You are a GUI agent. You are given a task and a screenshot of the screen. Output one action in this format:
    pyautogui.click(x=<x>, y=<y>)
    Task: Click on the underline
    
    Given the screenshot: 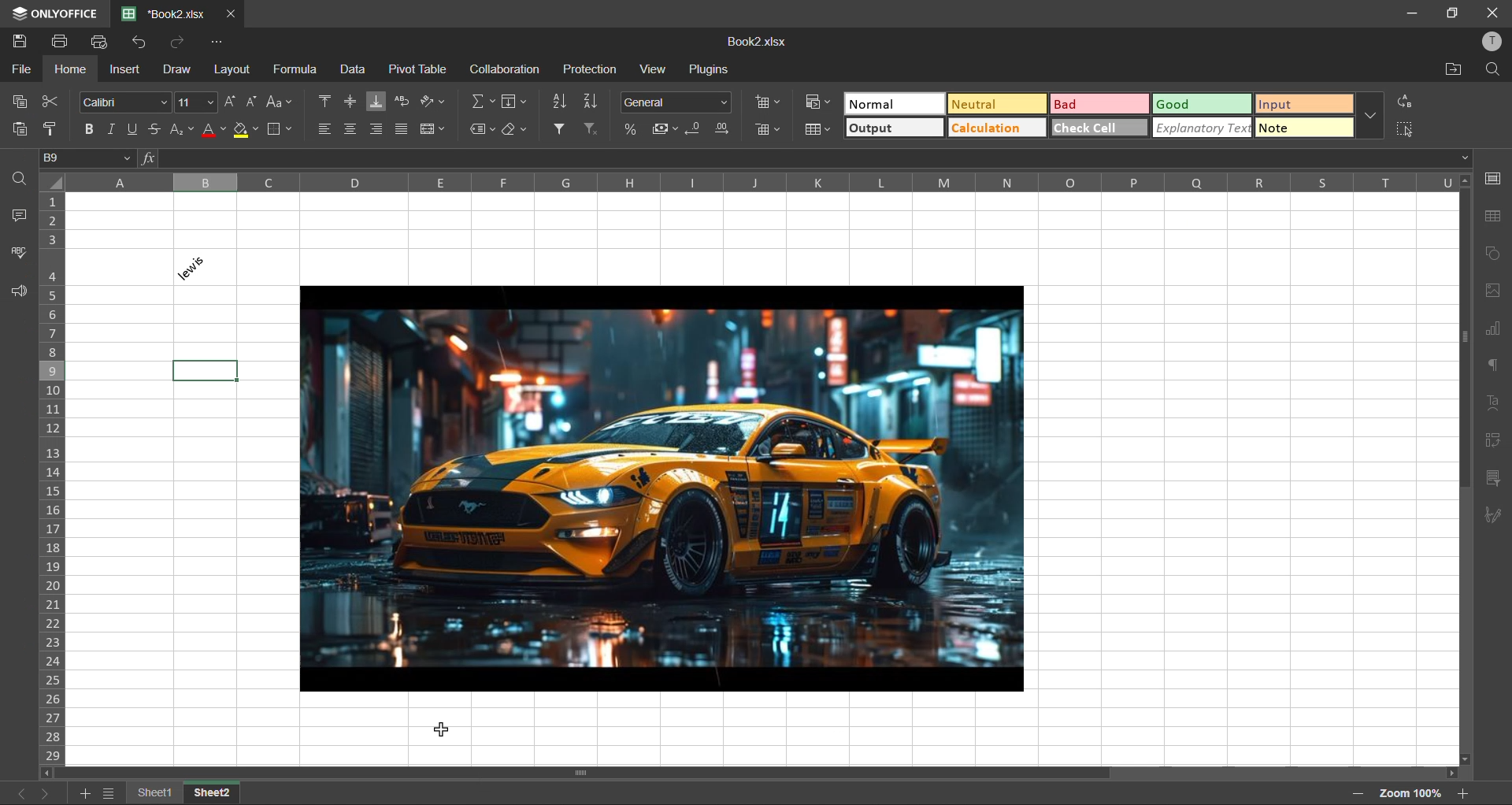 What is the action you would take?
    pyautogui.click(x=132, y=129)
    